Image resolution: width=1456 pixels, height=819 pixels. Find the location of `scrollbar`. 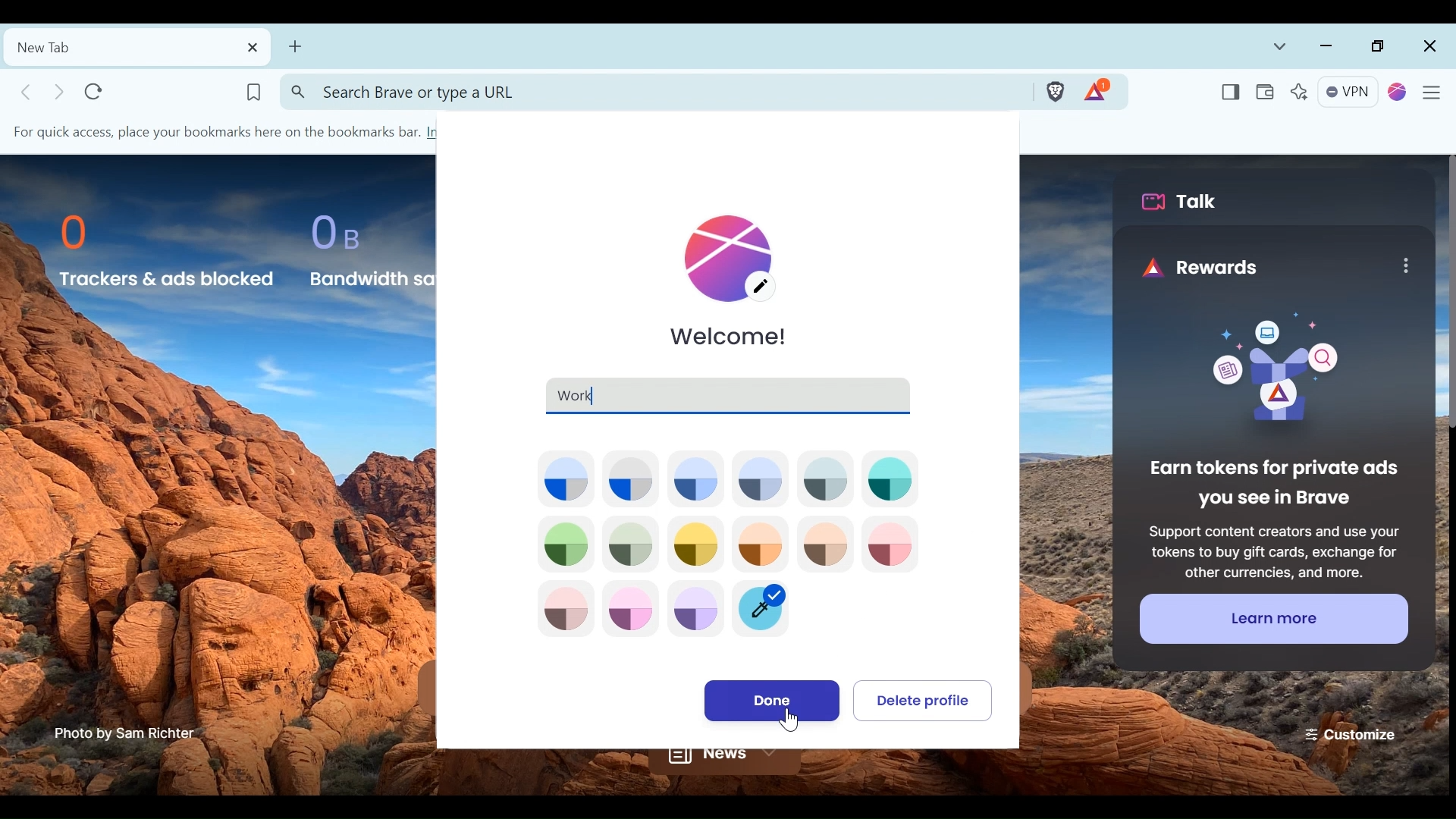

scrollbar is located at coordinates (1446, 296).